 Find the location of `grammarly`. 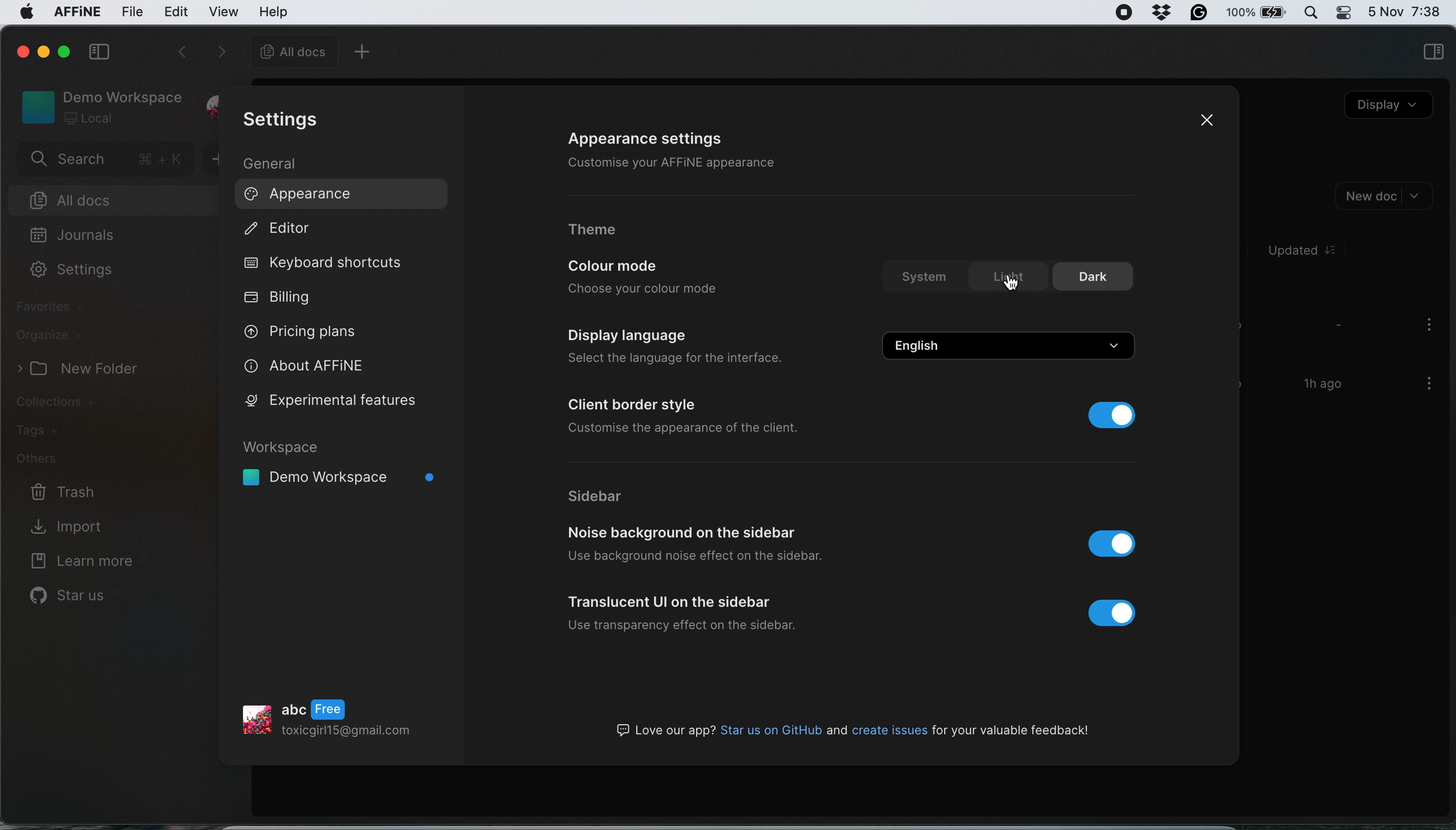

grammarly is located at coordinates (1201, 13).